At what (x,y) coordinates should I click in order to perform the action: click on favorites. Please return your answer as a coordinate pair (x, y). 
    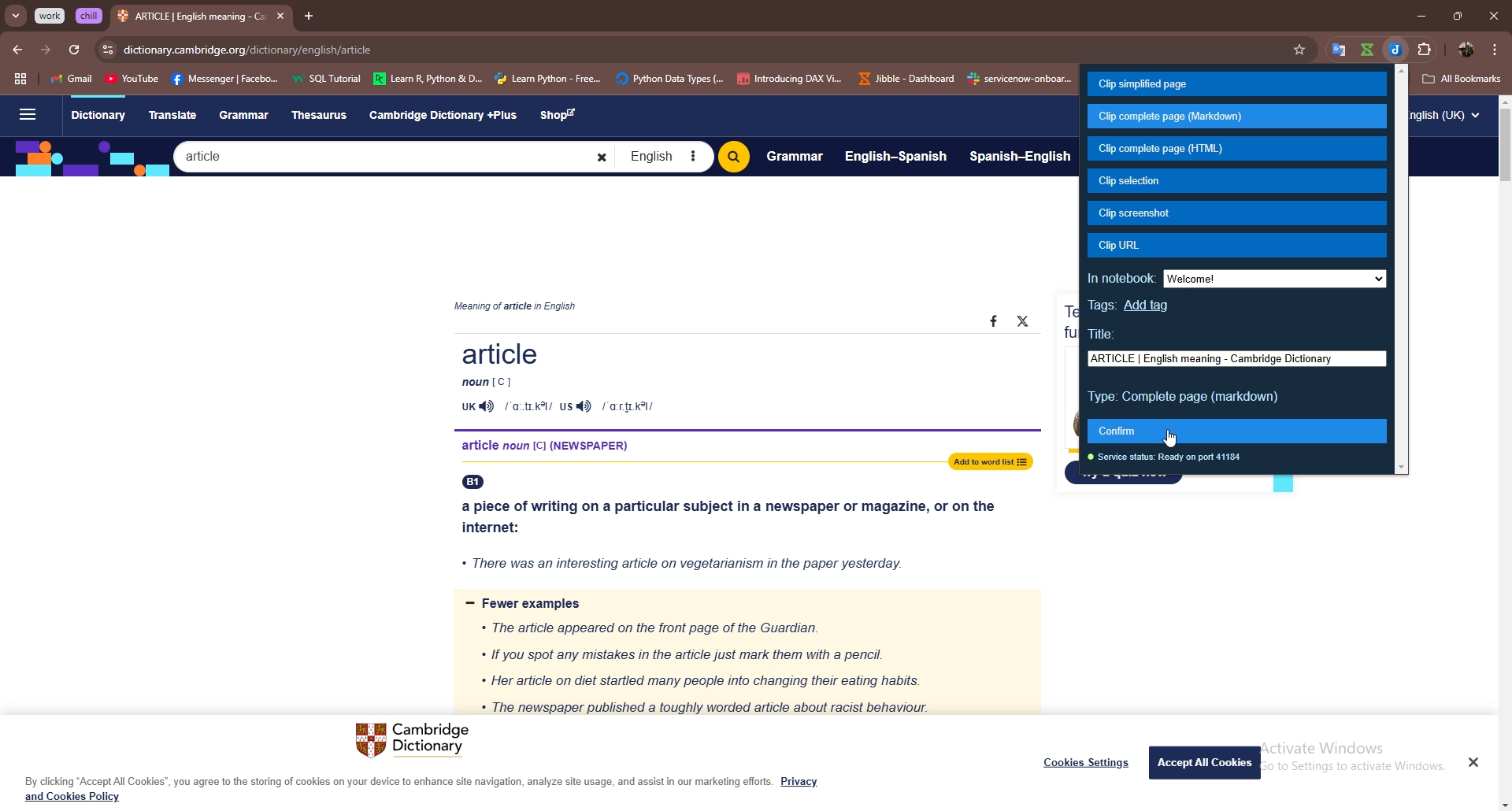
    Looking at the image, I should click on (1334, 49).